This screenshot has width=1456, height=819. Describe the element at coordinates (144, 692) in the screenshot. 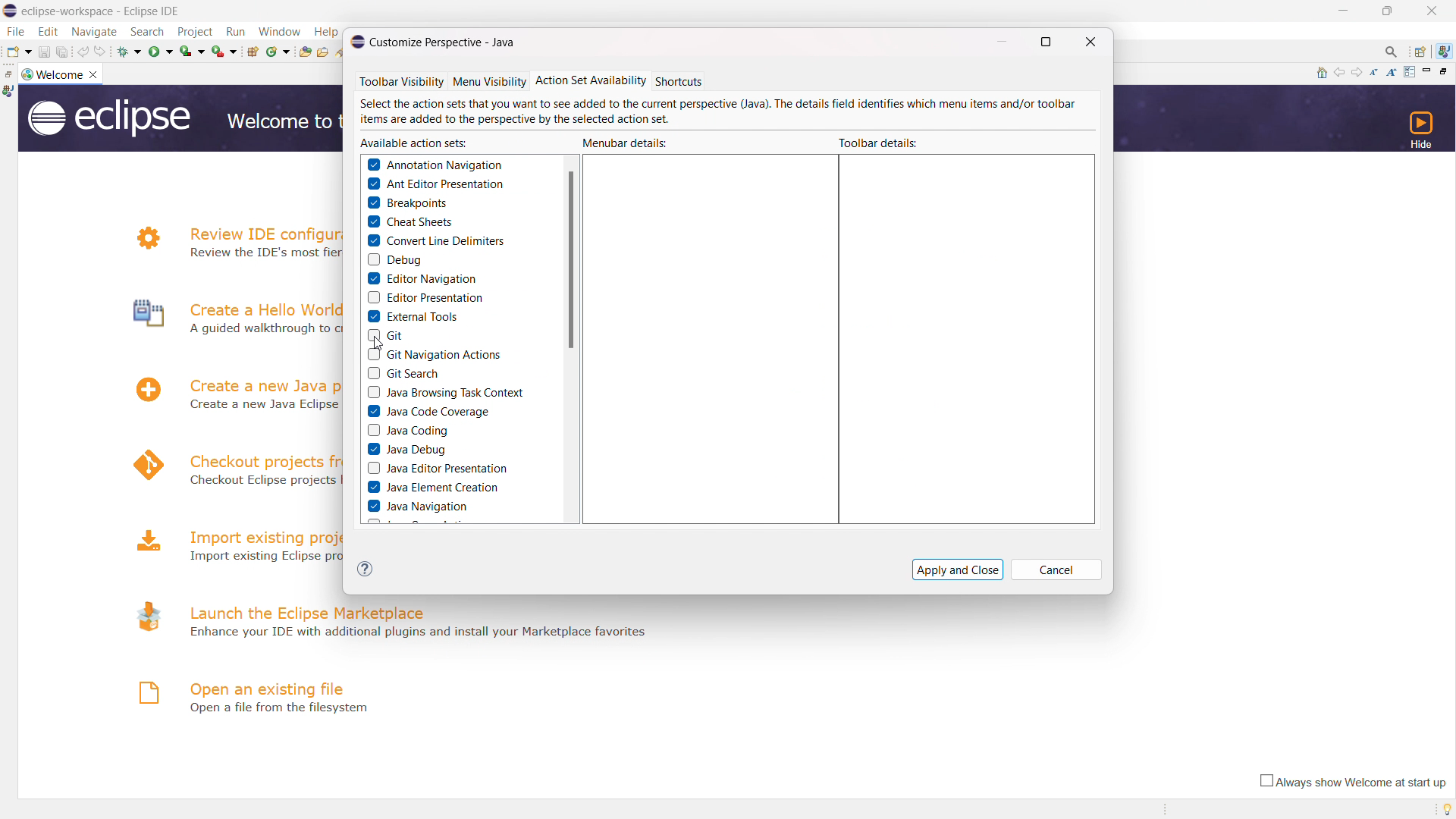

I see `logo` at that location.